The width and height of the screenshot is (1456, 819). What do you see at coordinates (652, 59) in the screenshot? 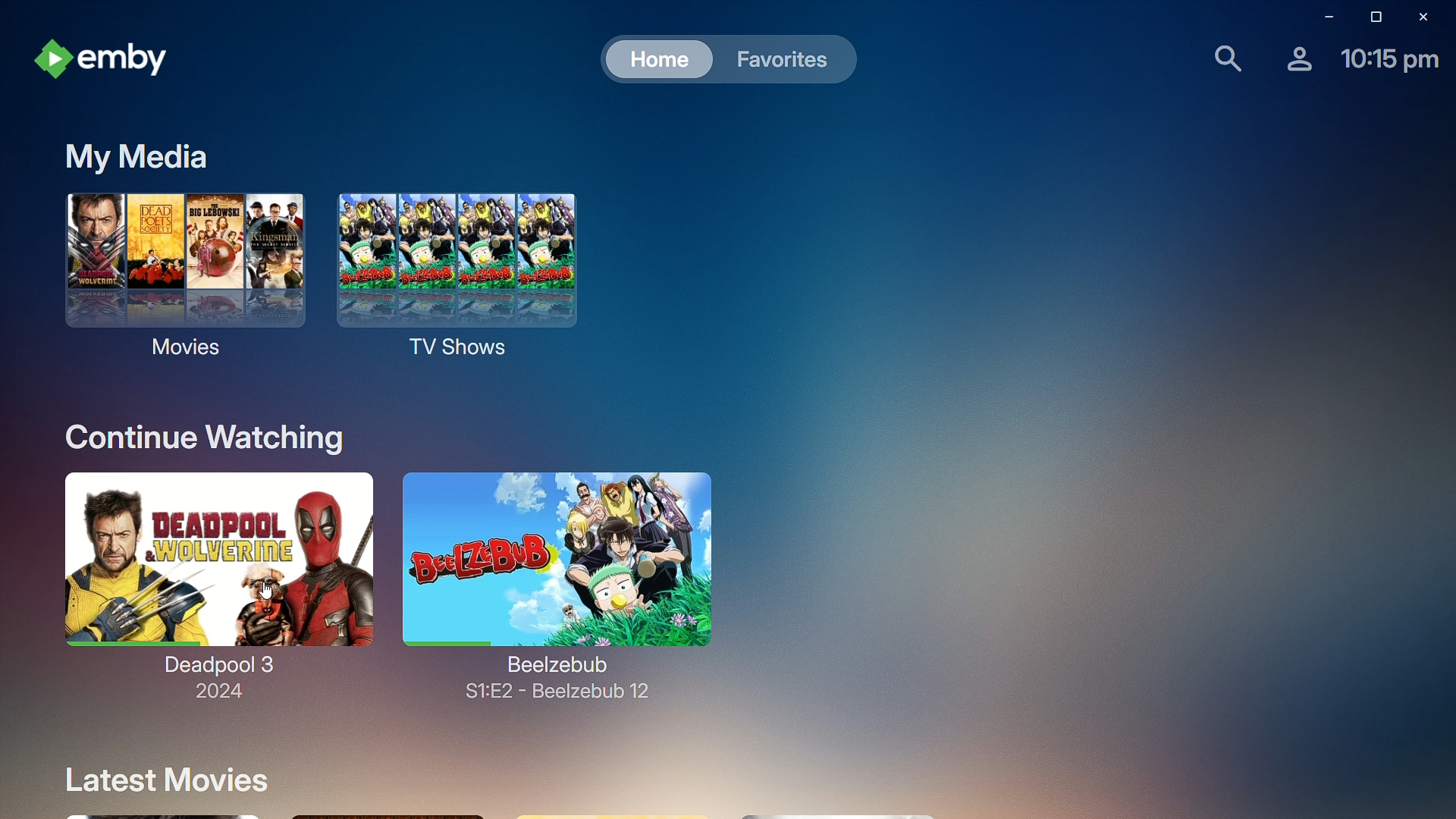
I see `Home` at bounding box center [652, 59].